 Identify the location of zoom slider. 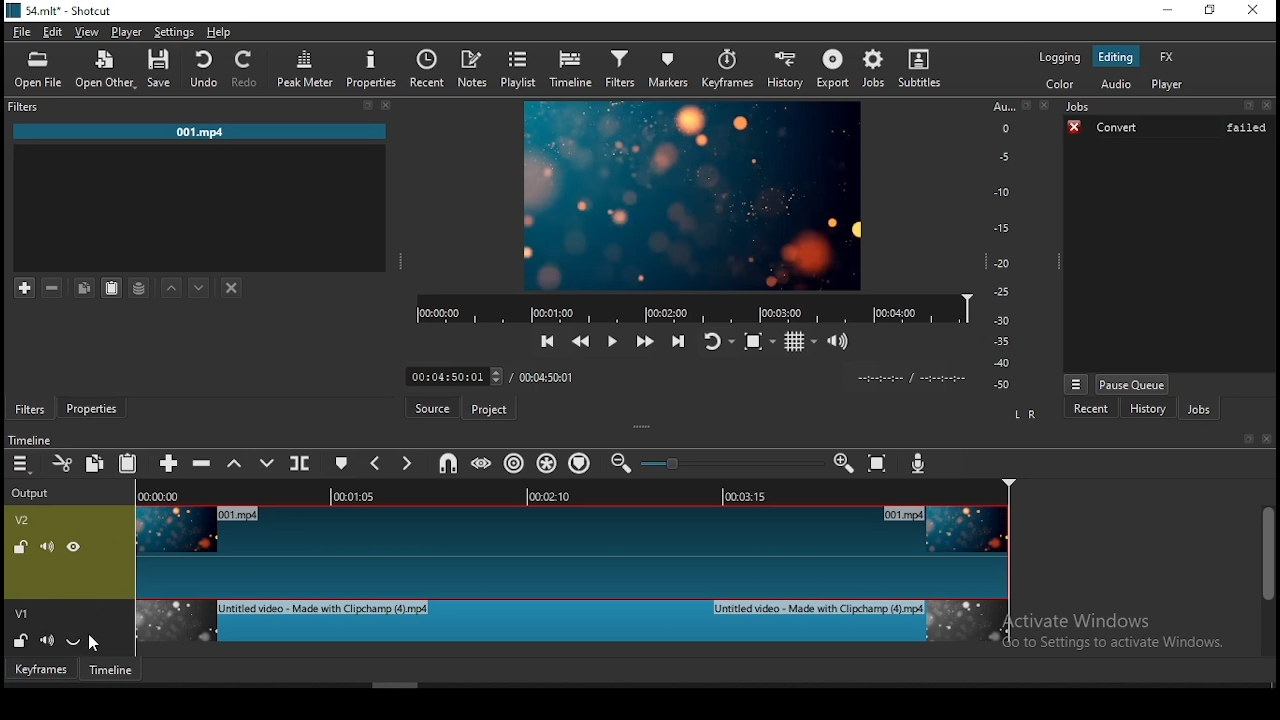
(731, 463).